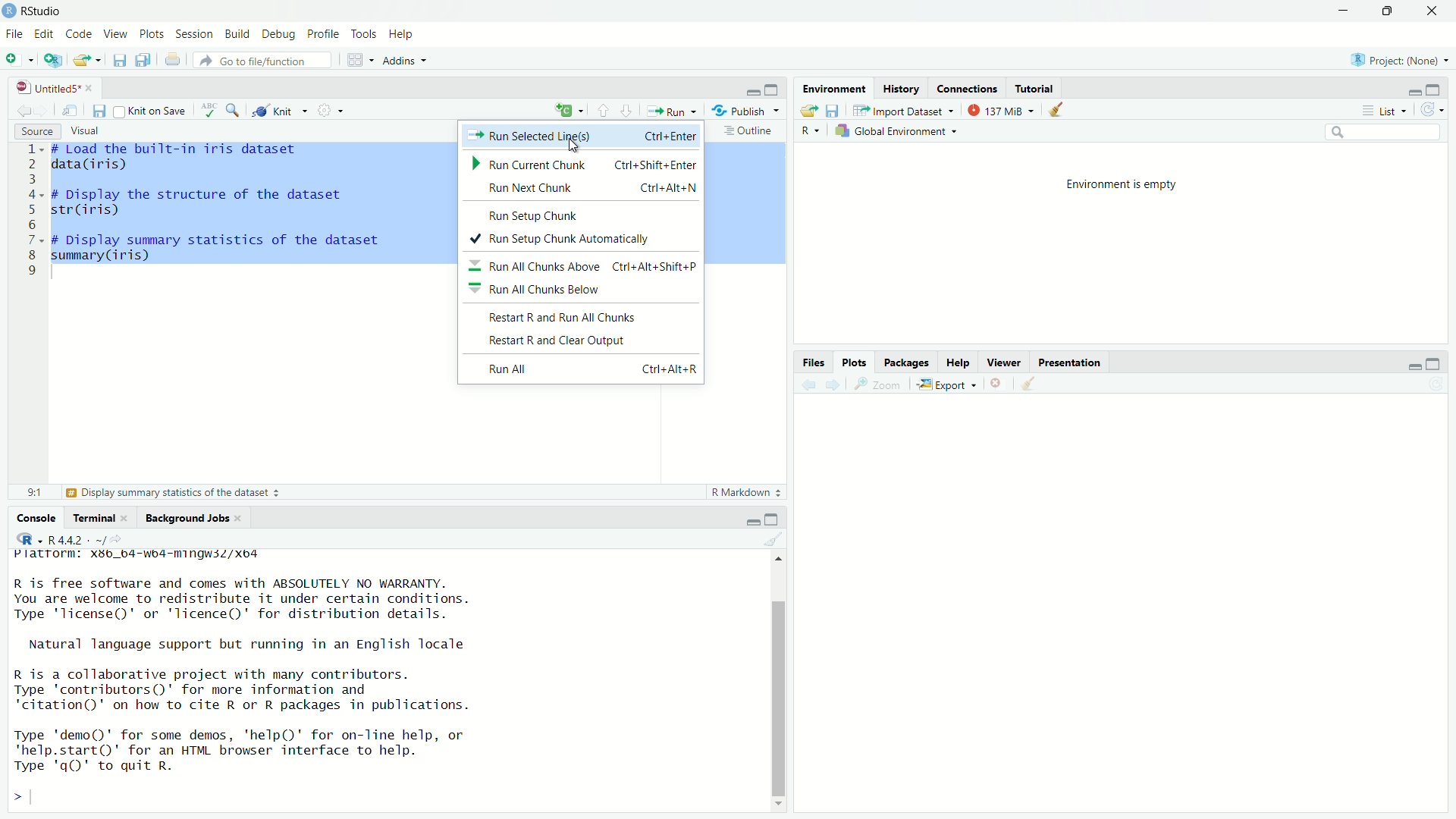 This screenshot has width=1456, height=819. Describe the element at coordinates (1069, 362) in the screenshot. I see `Presentation` at that location.